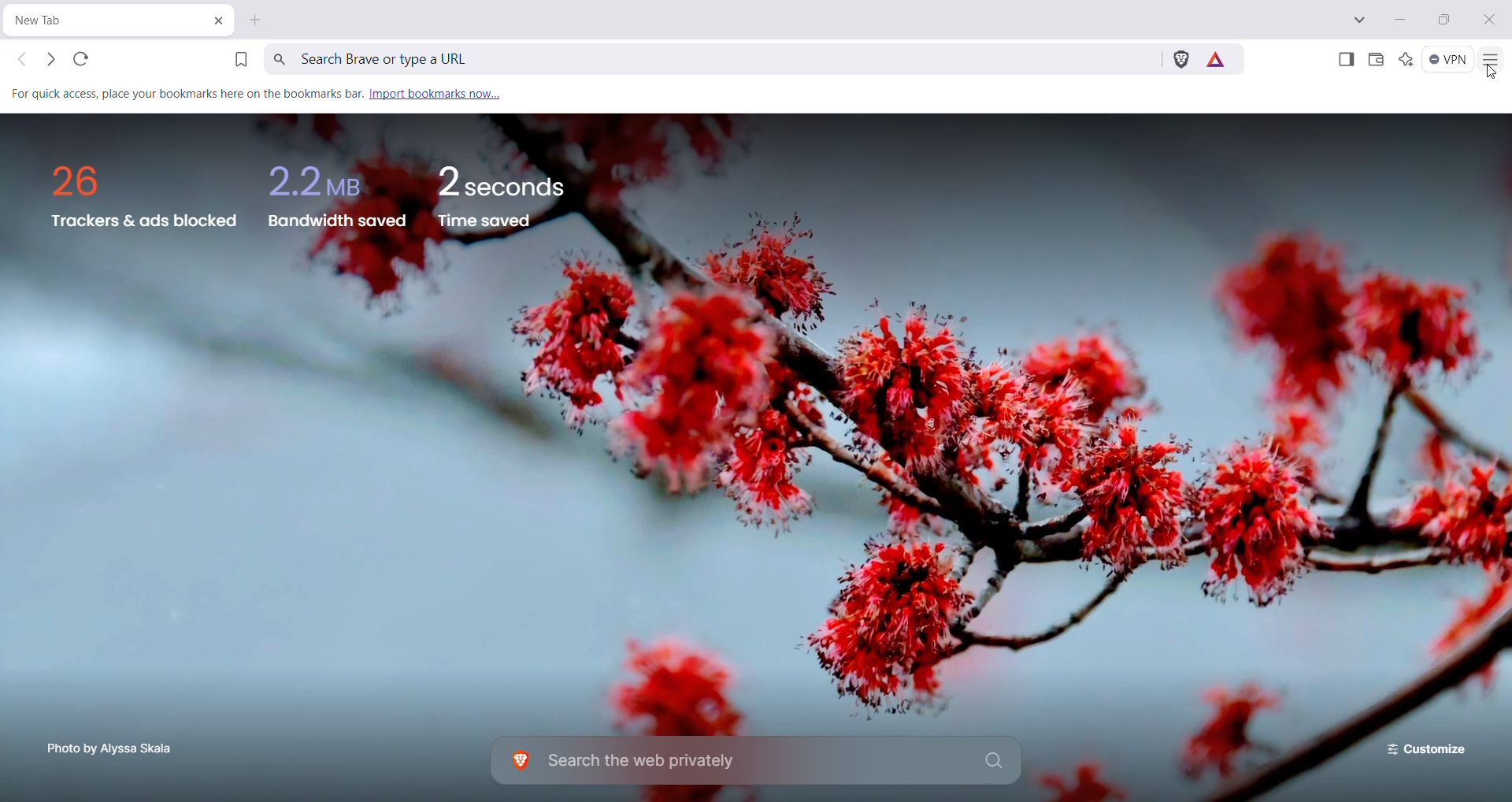 The image size is (1512, 802). Describe the element at coordinates (1345, 59) in the screenshot. I see `Show Sidebar` at that location.